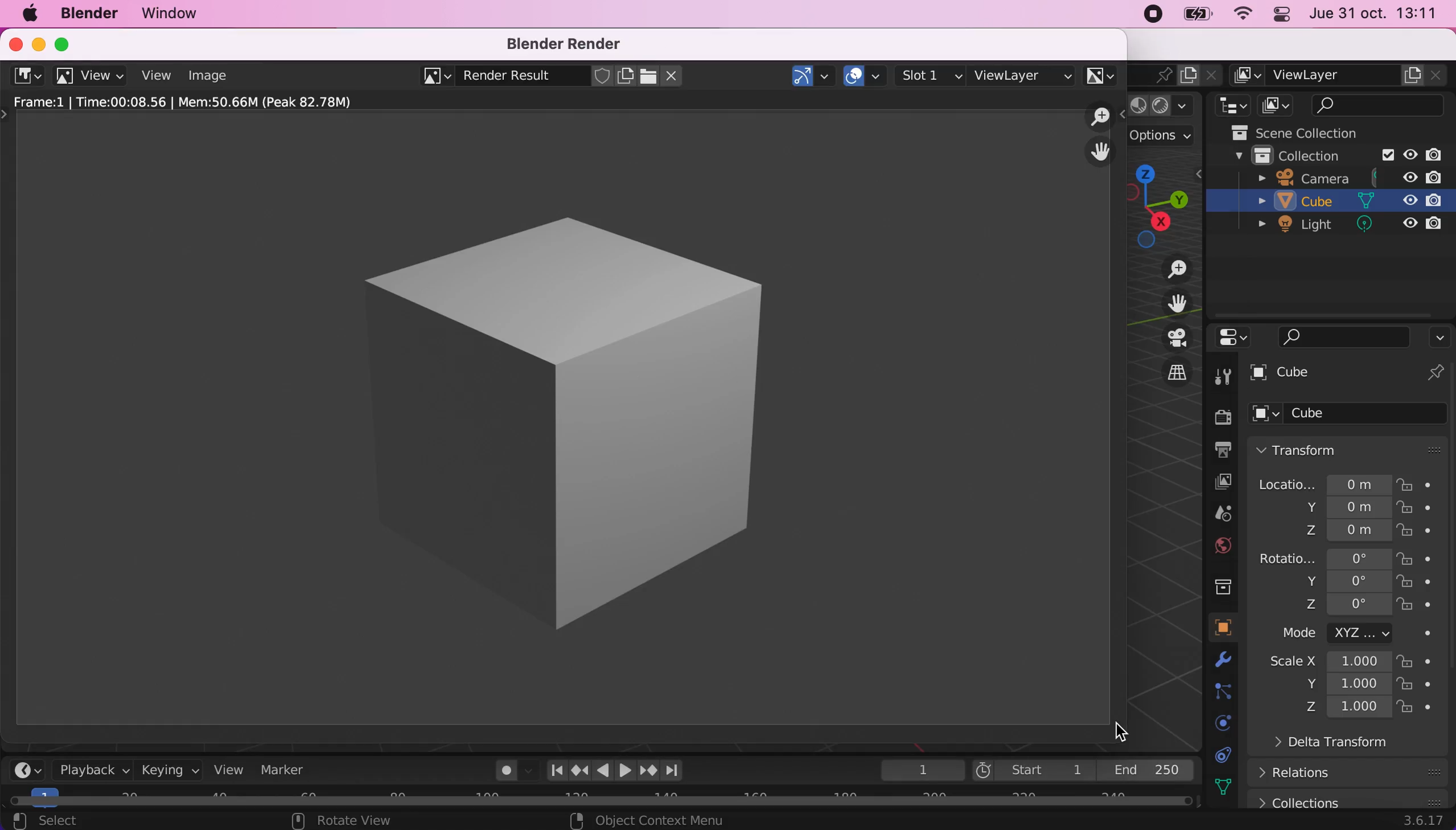 This screenshot has height=830, width=1456. What do you see at coordinates (1335, 635) in the screenshot?
I see `mode` at bounding box center [1335, 635].